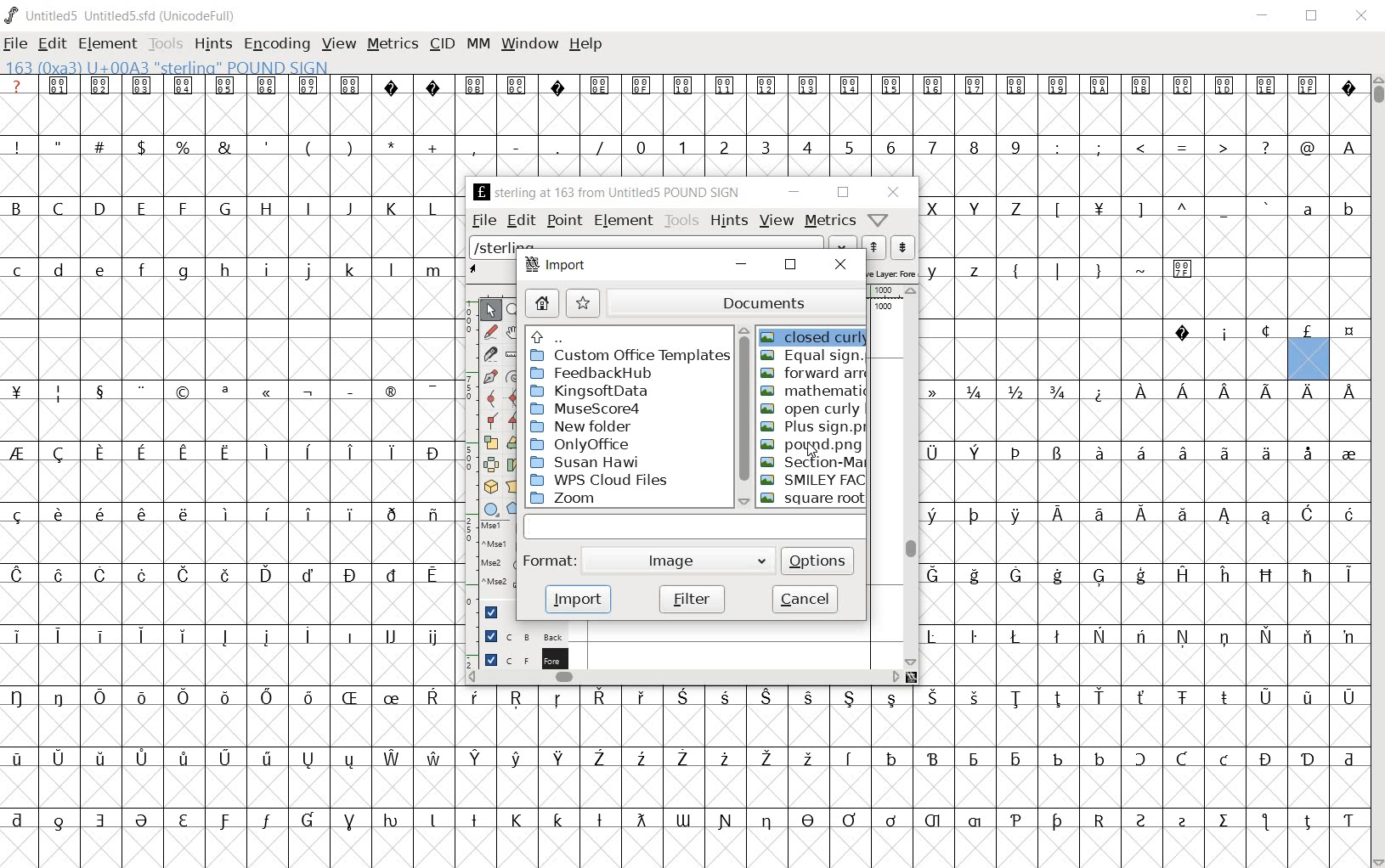 This screenshot has height=868, width=1385. I want to click on `, so click(1264, 208).